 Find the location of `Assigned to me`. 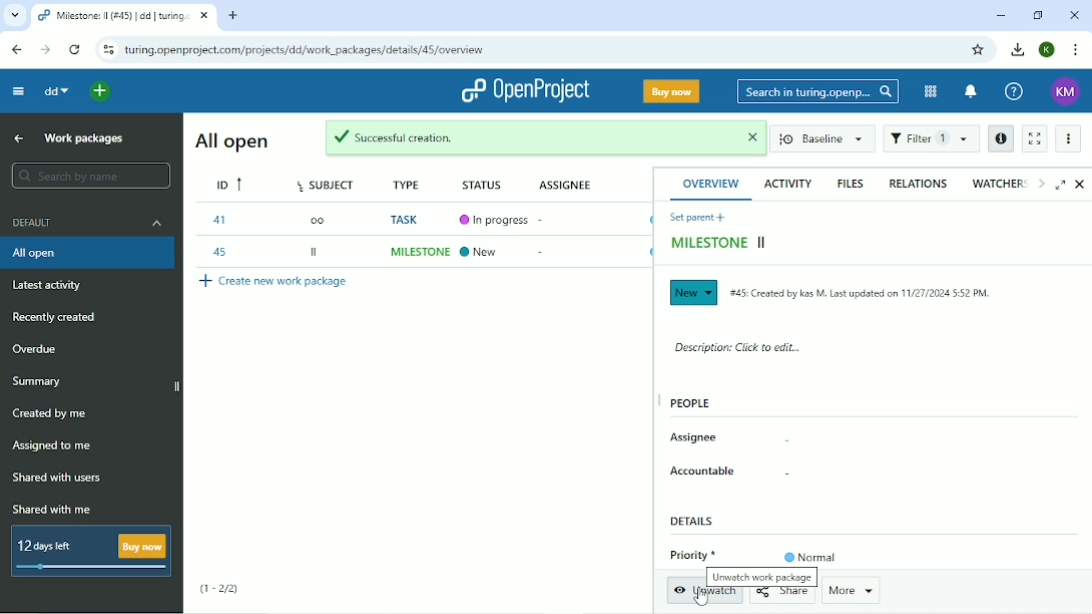

Assigned to me is located at coordinates (53, 446).